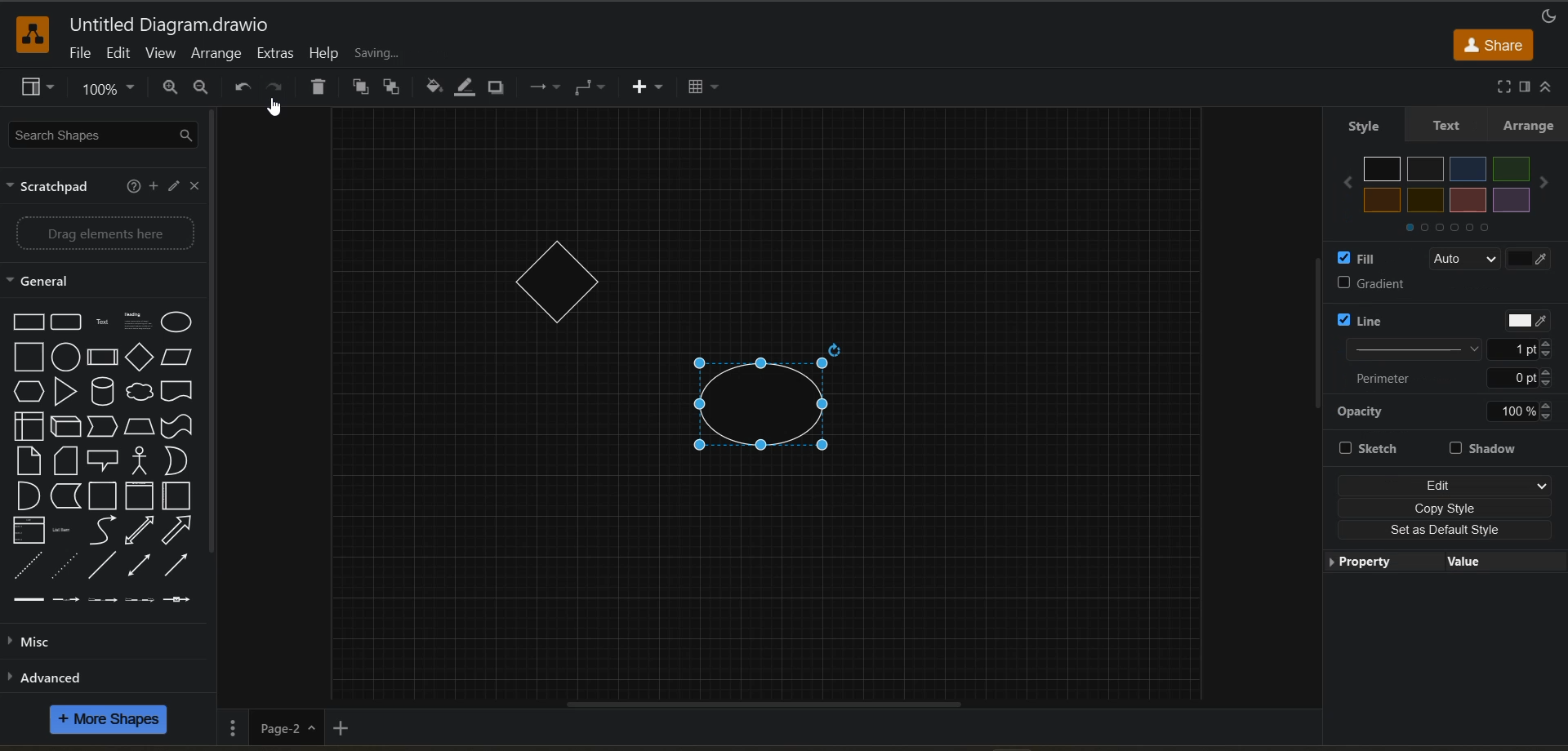 The width and height of the screenshot is (1568, 751). I want to click on card, so click(69, 461).